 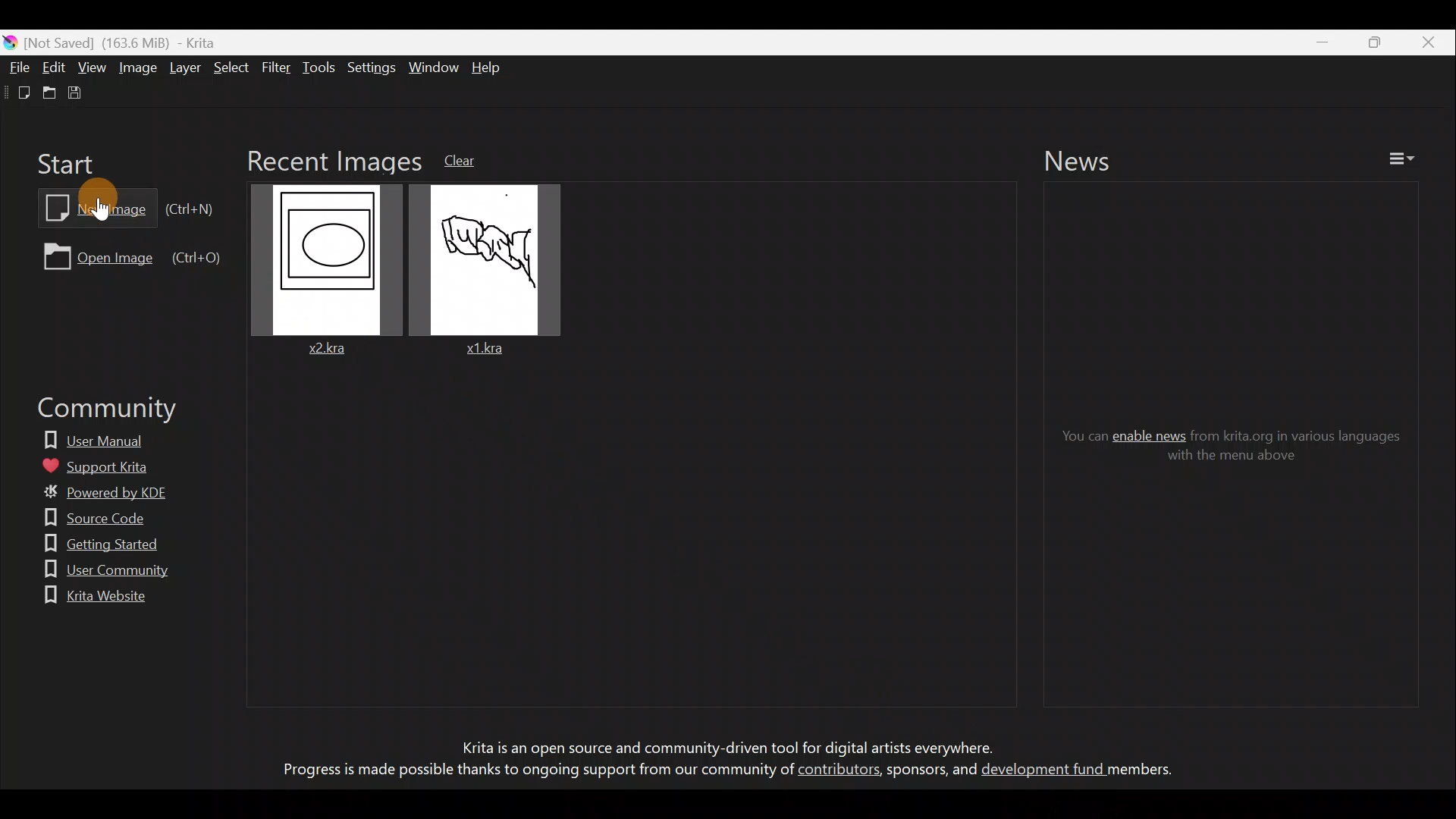 I want to click on New image (Ctrl+N), so click(x=124, y=206).